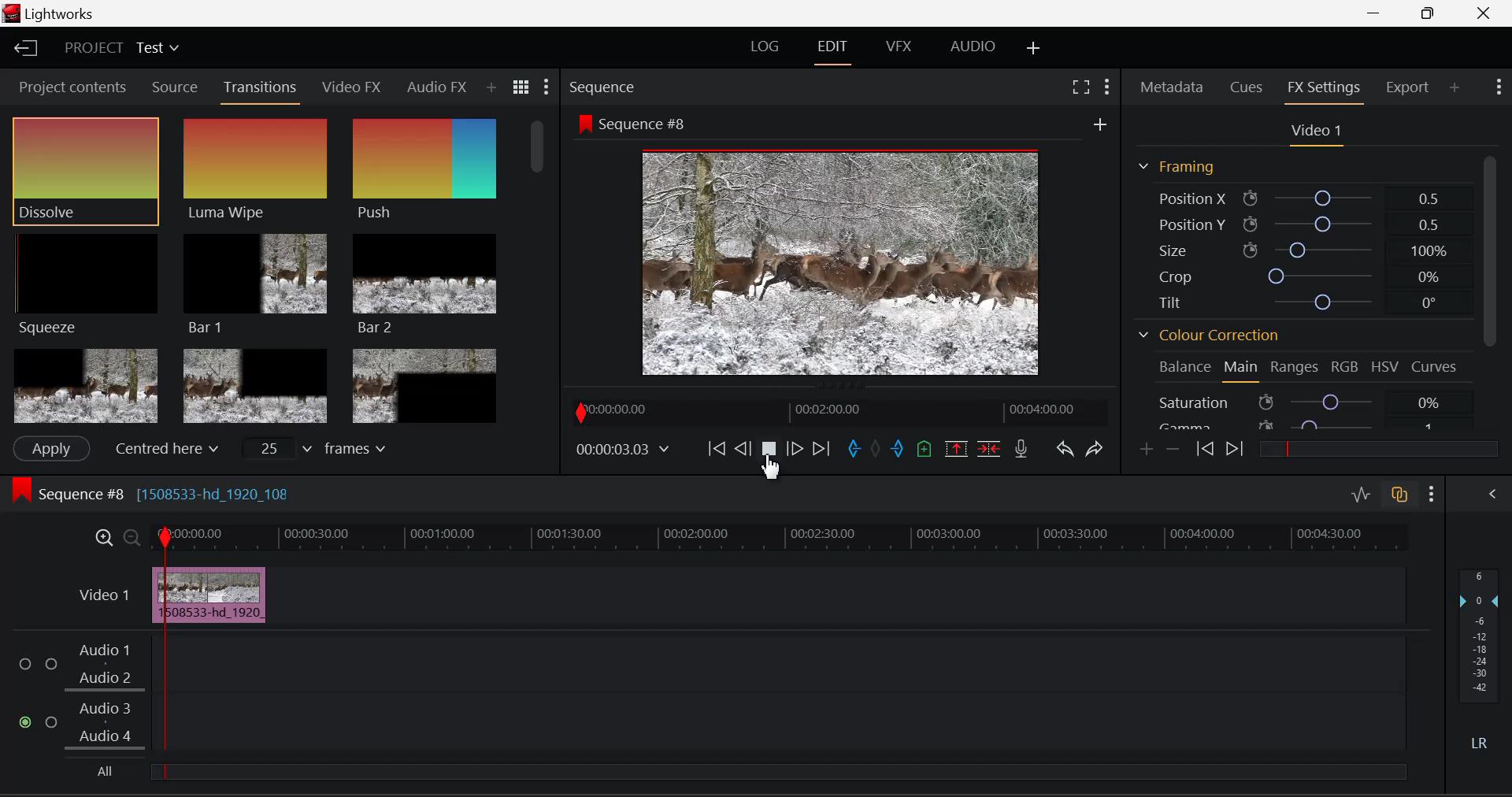 This screenshot has height=797, width=1512. What do you see at coordinates (52, 721) in the screenshot?
I see `Audio Input Checkbox` at bounding box center [52, 721].